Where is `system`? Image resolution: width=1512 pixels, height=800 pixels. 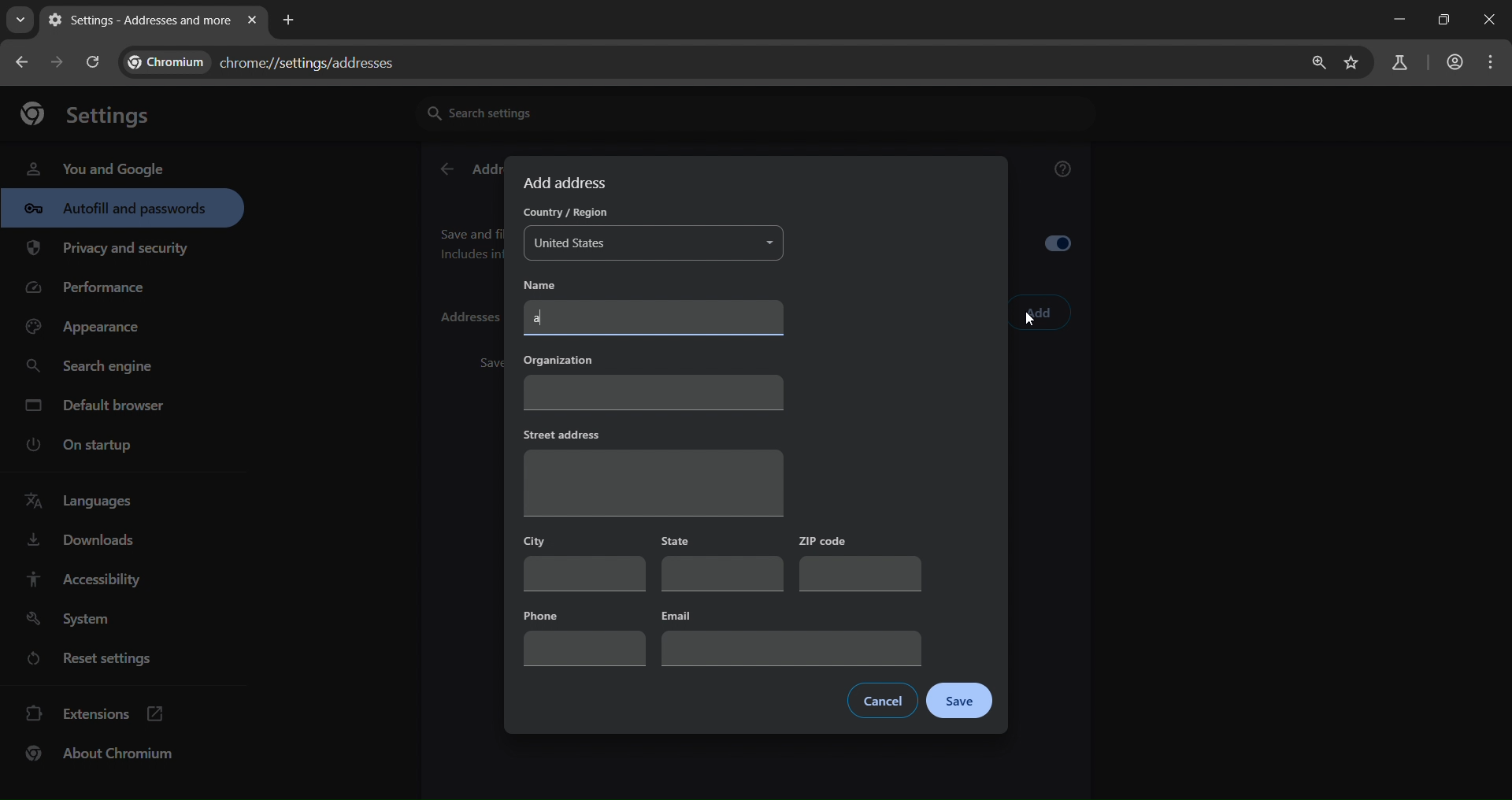
system is located at coordinates (72, 620).